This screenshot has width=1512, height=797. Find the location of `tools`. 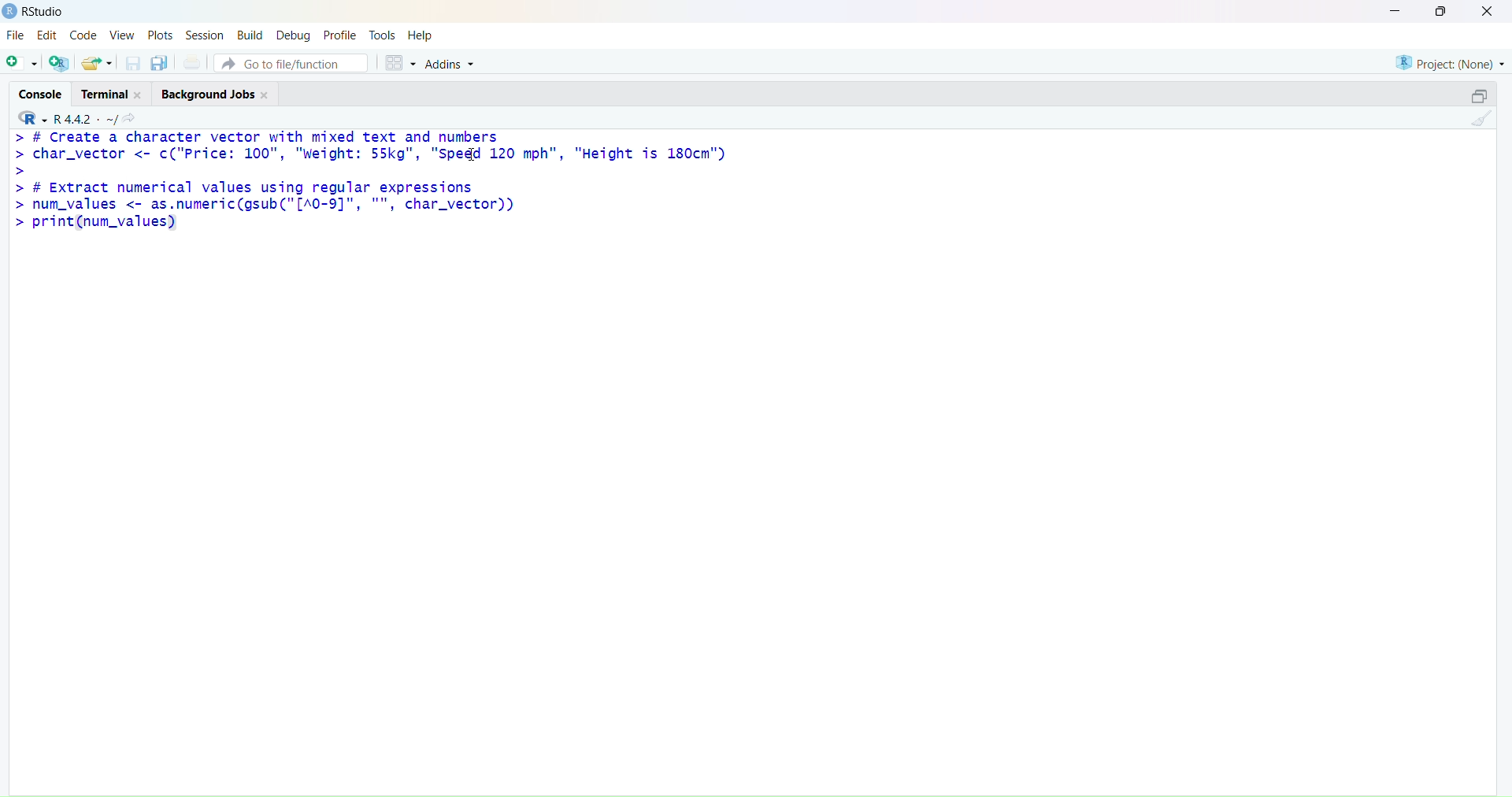

tools is located at coordinates (383, 35).